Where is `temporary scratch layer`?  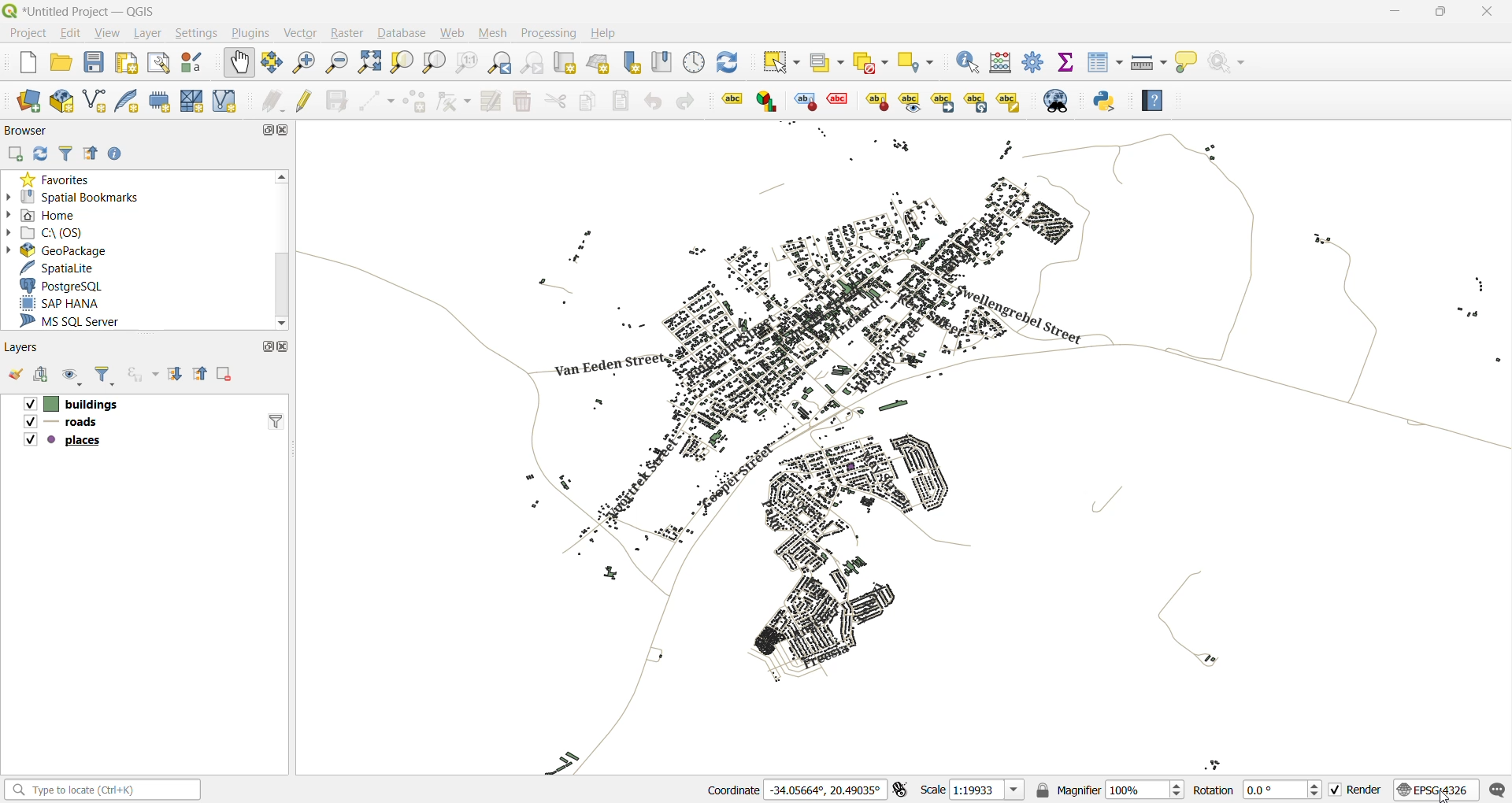
temporary scratch layer is located at coordinates (159, 101).